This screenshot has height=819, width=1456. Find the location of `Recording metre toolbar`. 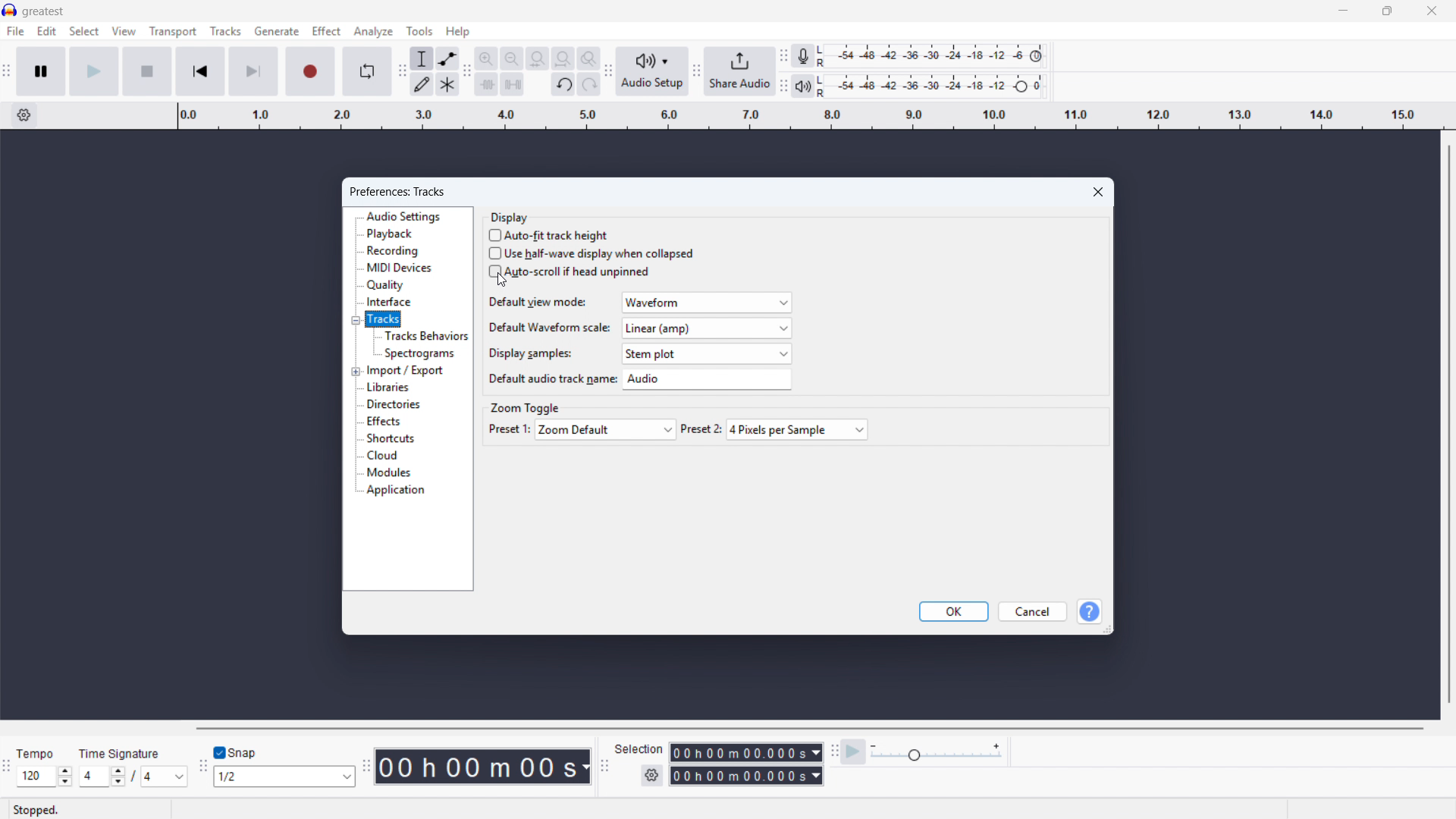

Recording metre toolbar is located at coordinates (784, 57).